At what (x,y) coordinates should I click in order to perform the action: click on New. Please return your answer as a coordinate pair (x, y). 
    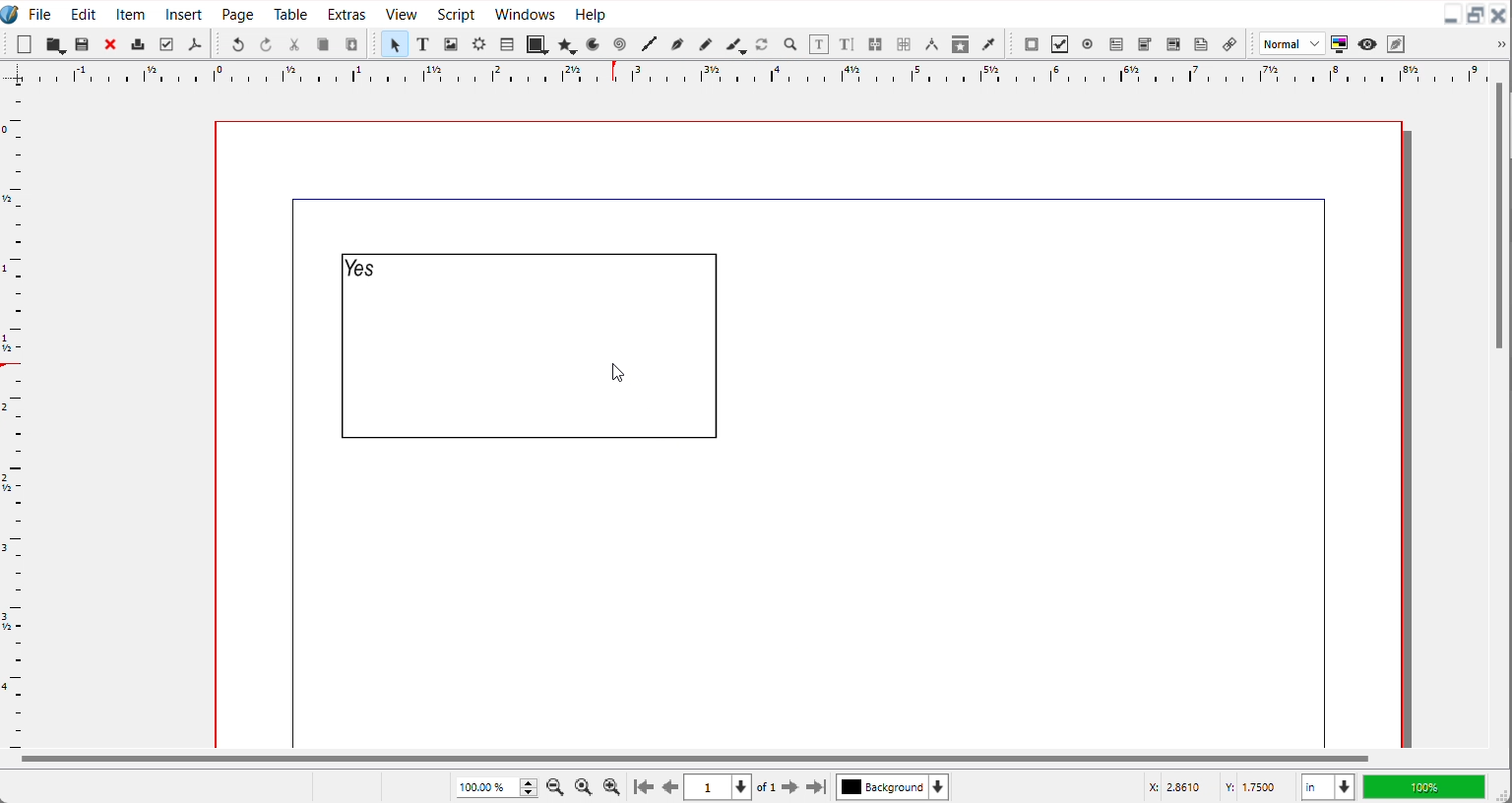
    Looking at the image, I should click on (25, 44).